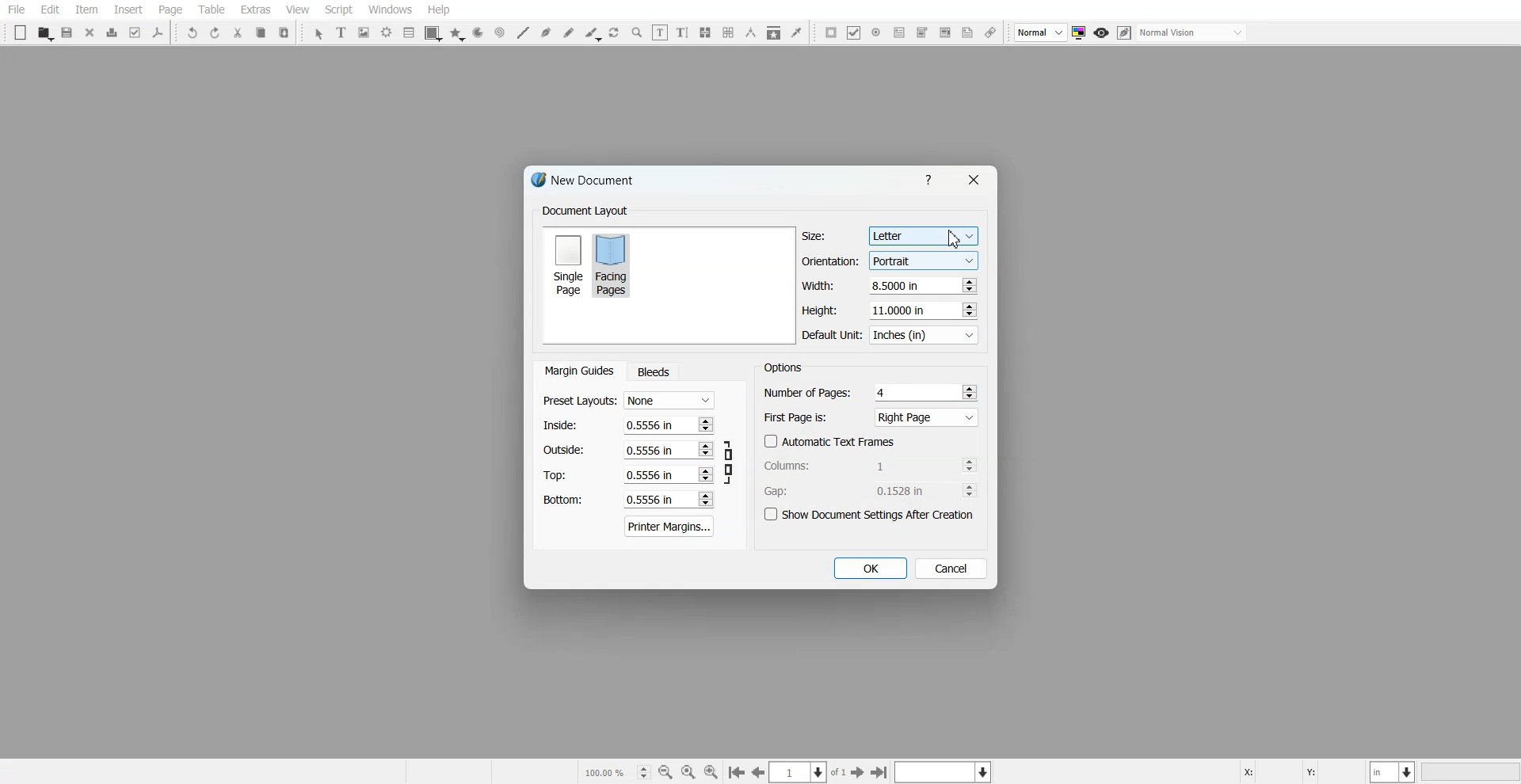  What do you see at coordinates (585, 211) in the screenshot?
I see `Text` at bounding box center [585, 211].